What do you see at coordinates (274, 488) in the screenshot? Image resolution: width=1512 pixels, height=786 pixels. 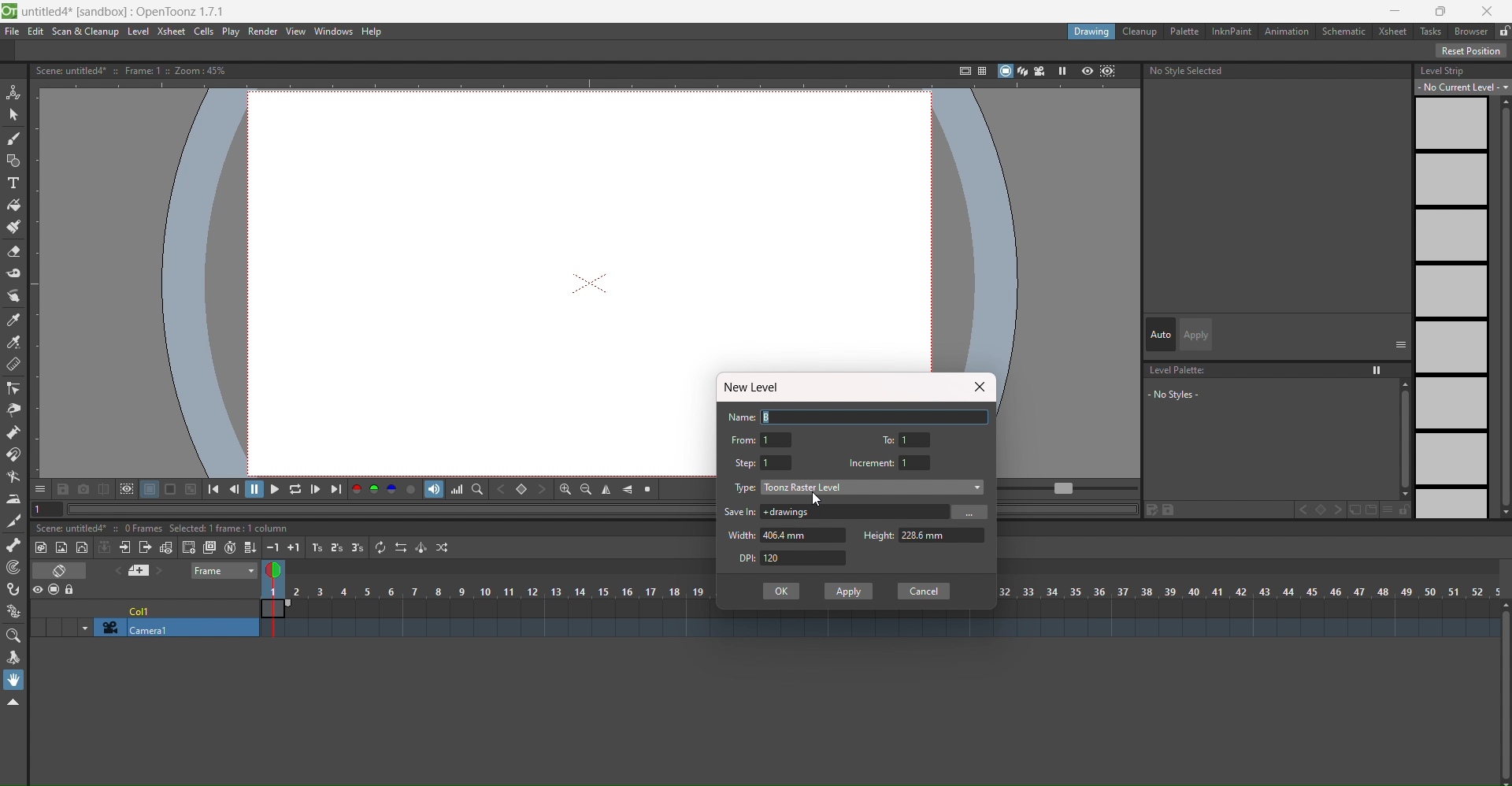 I see `play` at bounding box center [274, 488].